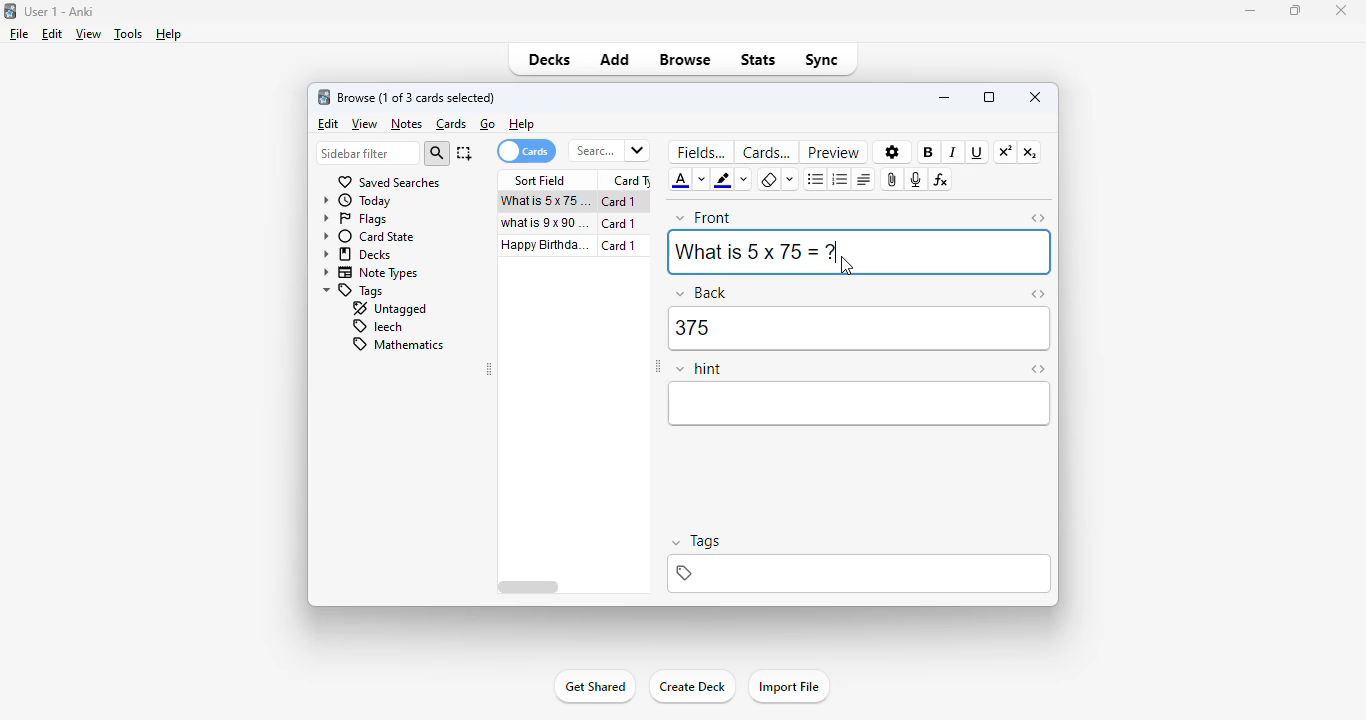 Image resolution: width=1366 pixels, height=720 pixels. Describe the element at coordinates (859, 329) in the screenshot. I see `375` at that location.